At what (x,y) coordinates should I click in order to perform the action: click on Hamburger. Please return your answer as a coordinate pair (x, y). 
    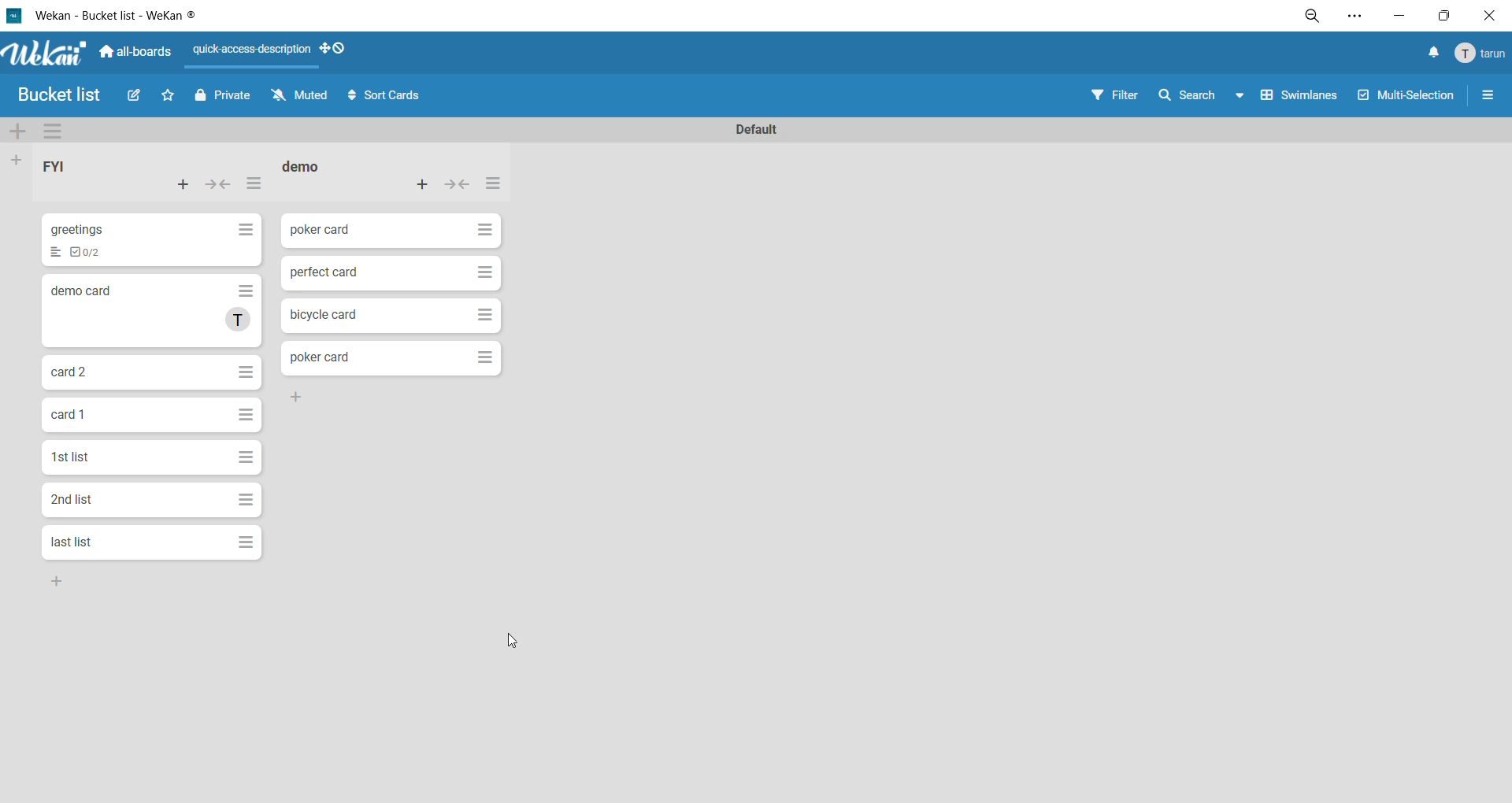
    Looking at the image, I should click on (245, 499).